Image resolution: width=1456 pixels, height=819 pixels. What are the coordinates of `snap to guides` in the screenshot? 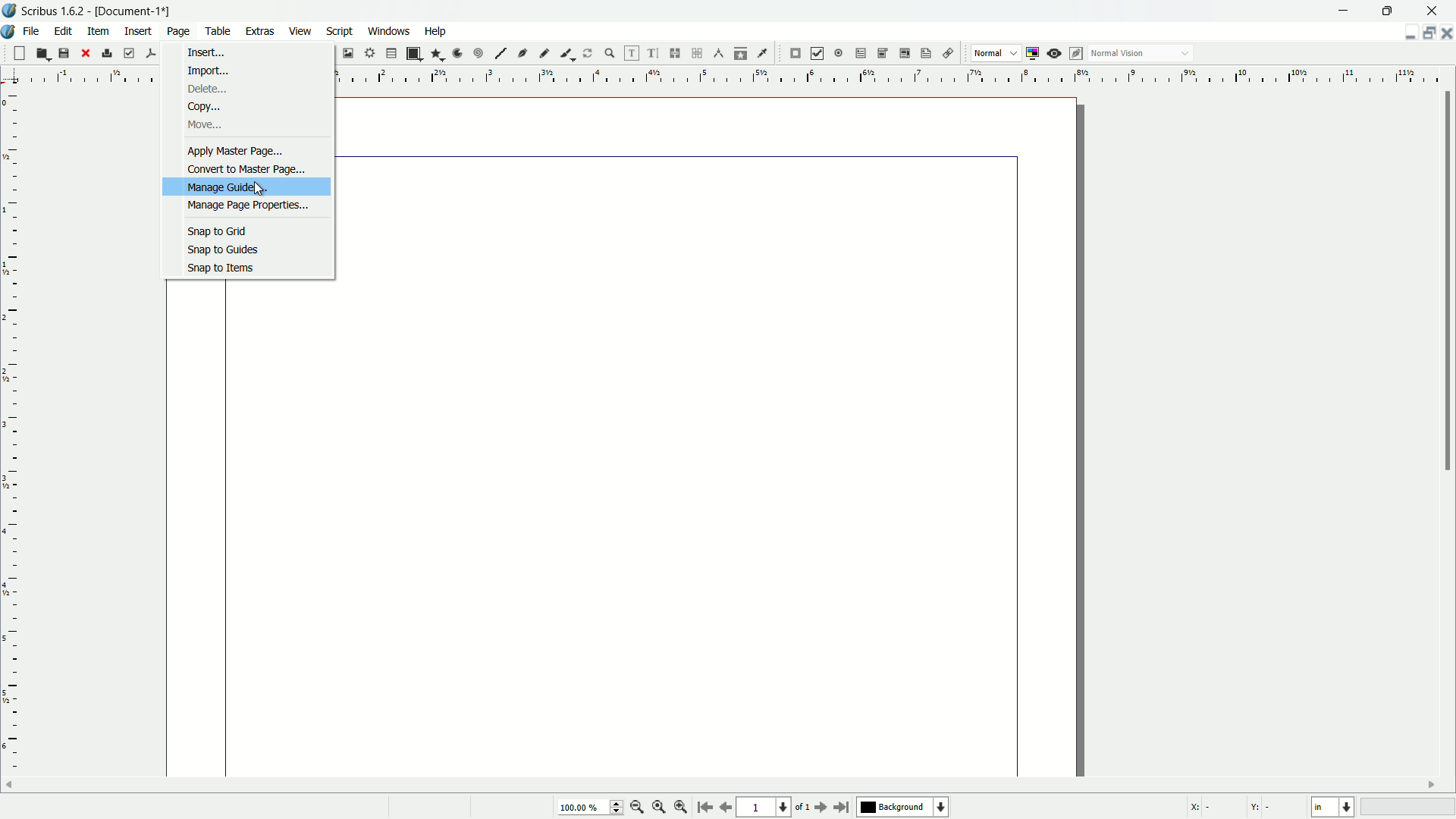 It's located at (221, 249).